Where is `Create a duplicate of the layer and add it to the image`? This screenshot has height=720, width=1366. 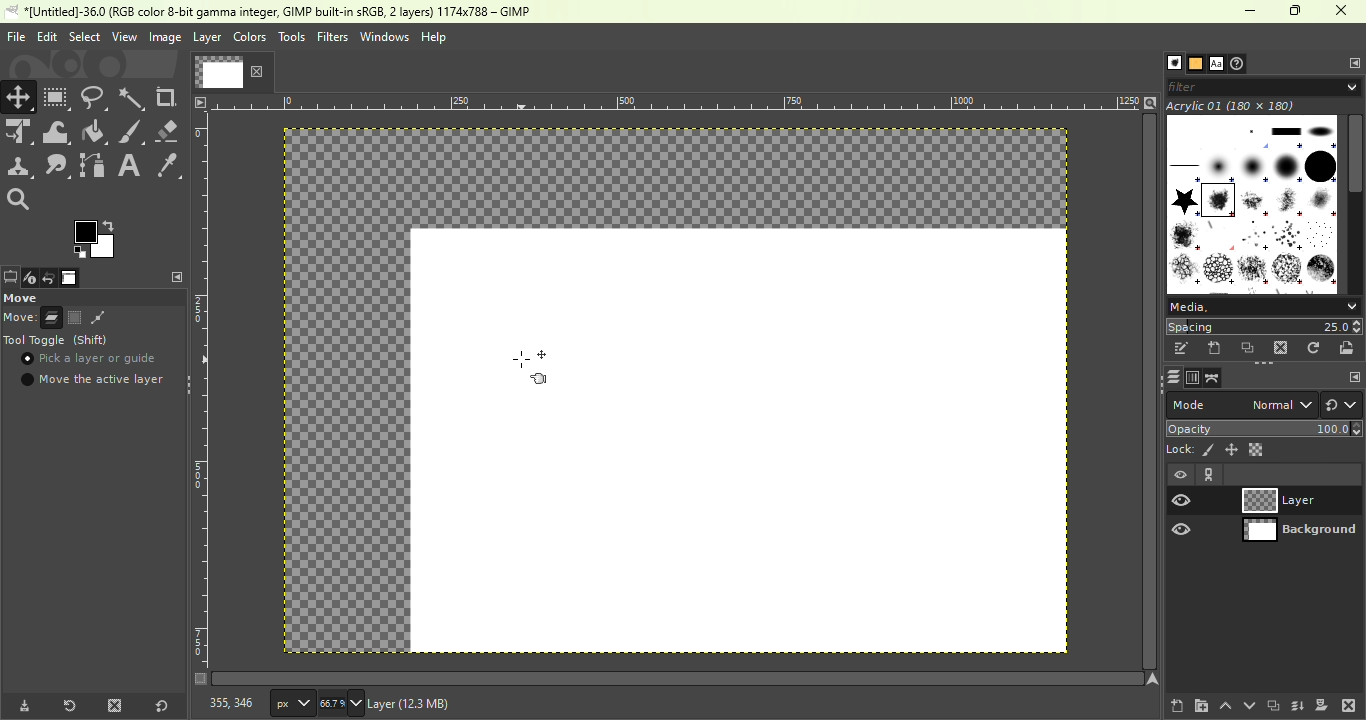
Create a duplicate of the layer and add it to the image is located at coordinates (1272, 705).